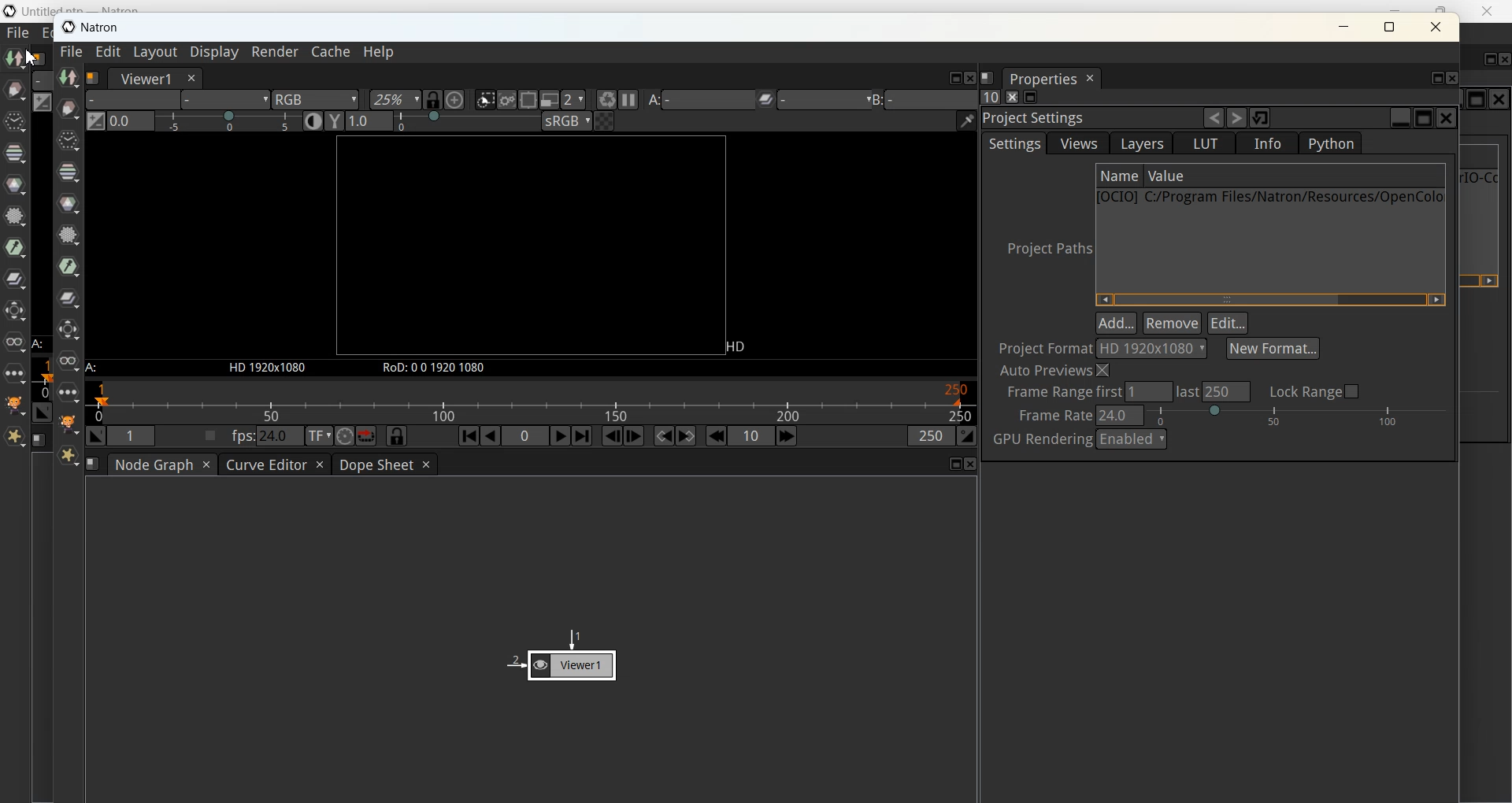 The image size is (1512, 803). What do you see at coordinates (15, 405) in the screenshot?
I see `GMIC` at bounding box center [15, 405].